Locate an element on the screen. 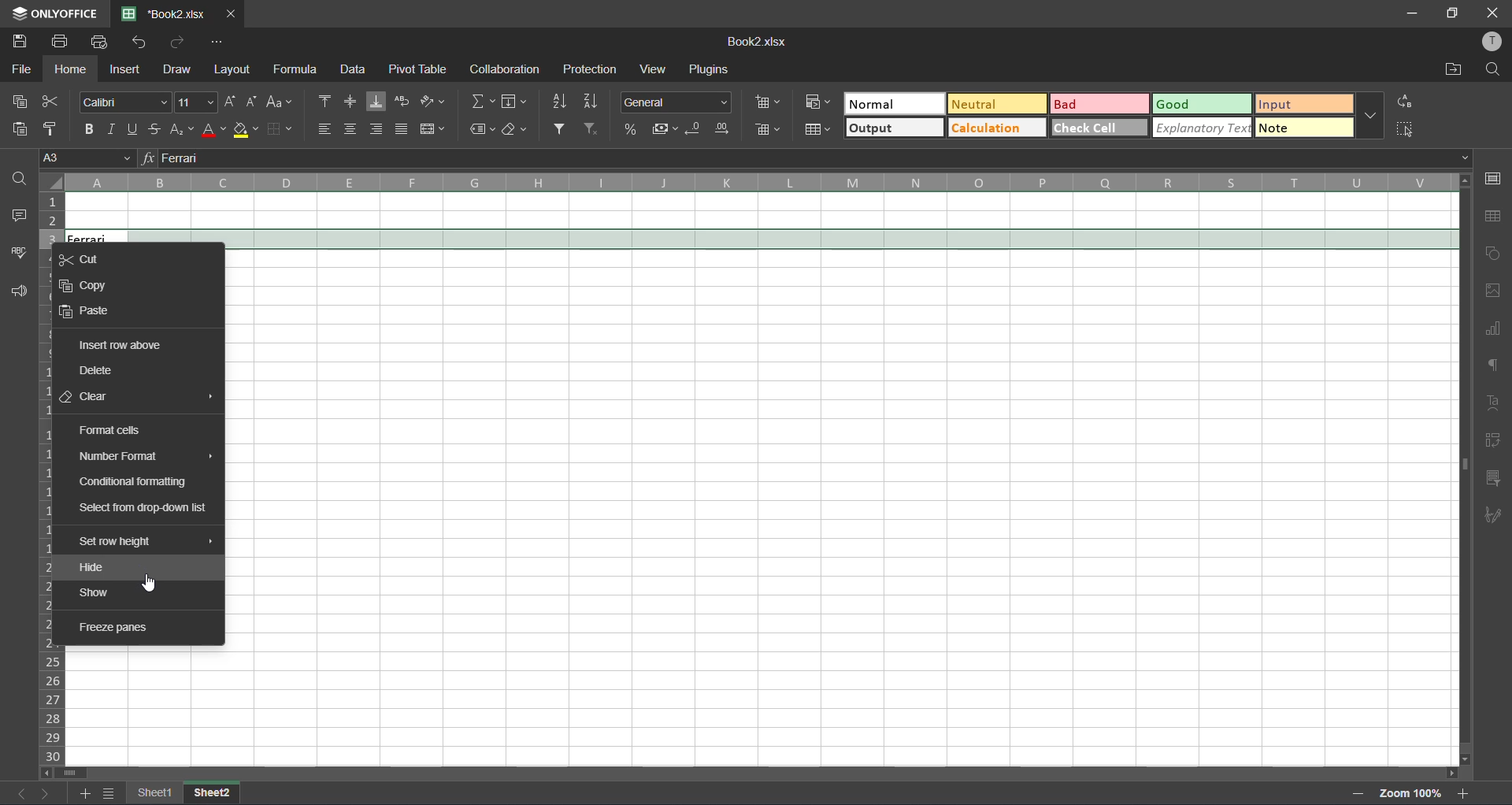 The image size is (1512, 805). calculation is located at coordinates (999, 128).